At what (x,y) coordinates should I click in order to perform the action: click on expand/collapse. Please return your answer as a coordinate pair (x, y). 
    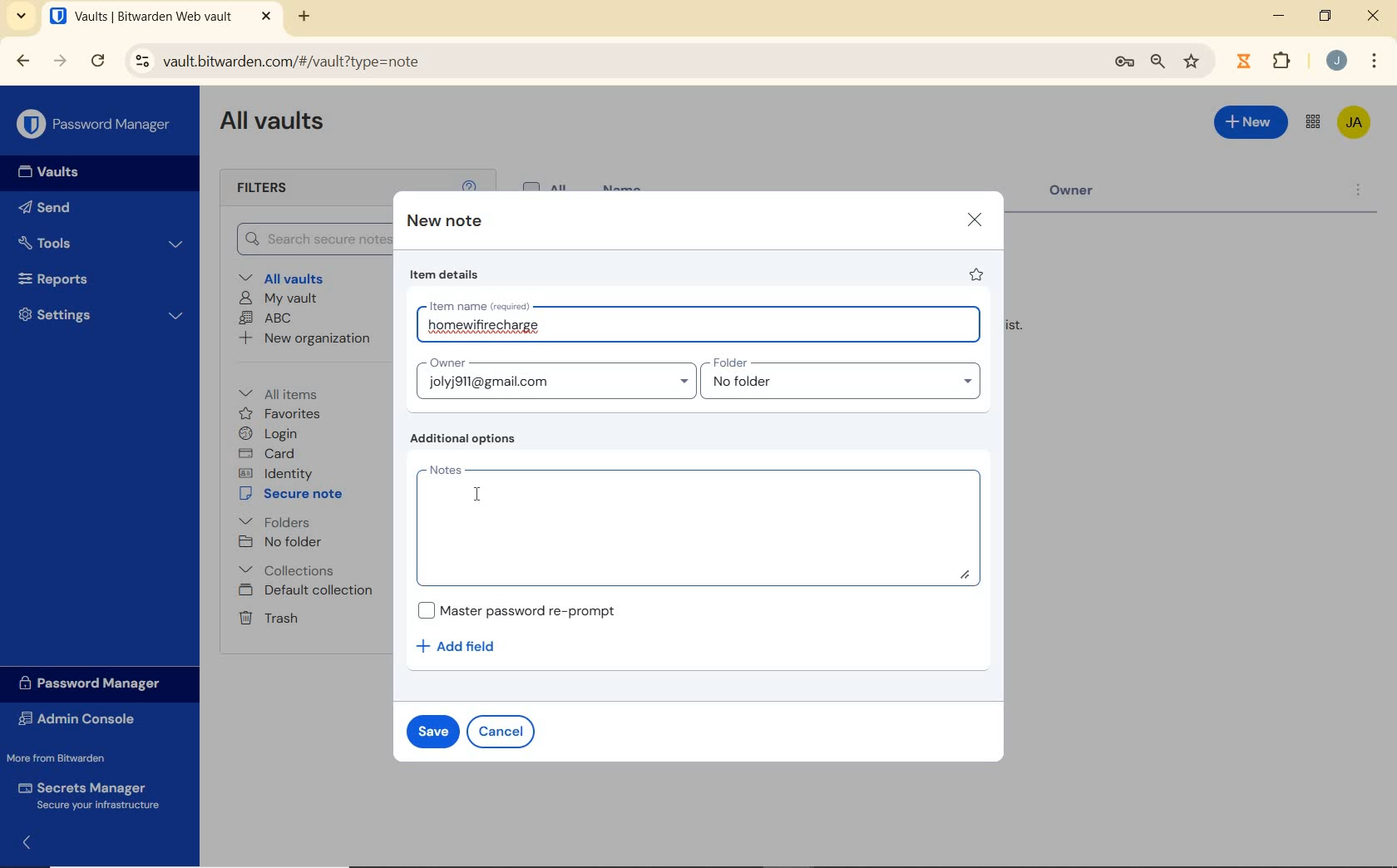
    Looking at the image, I should click on (22, 846).